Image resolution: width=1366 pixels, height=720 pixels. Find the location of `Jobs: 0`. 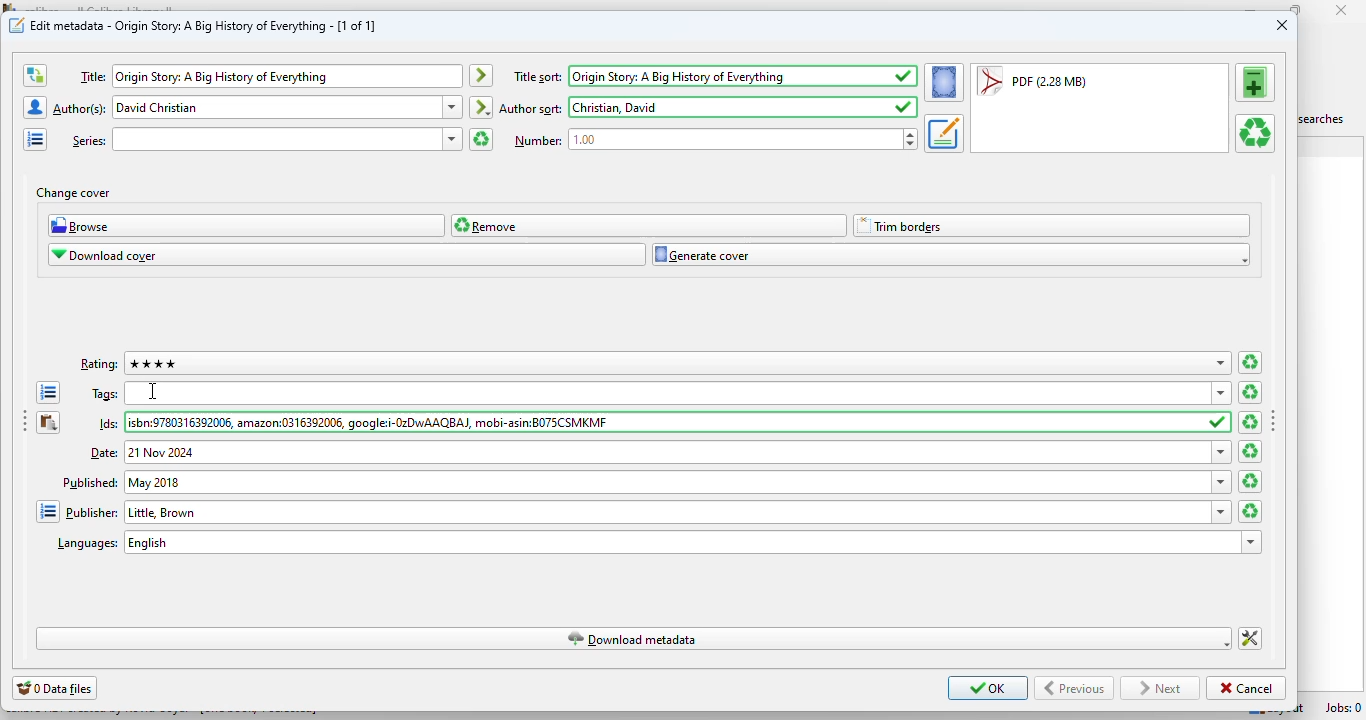

Jobs: 0 is located at coordinates (1343, 707).